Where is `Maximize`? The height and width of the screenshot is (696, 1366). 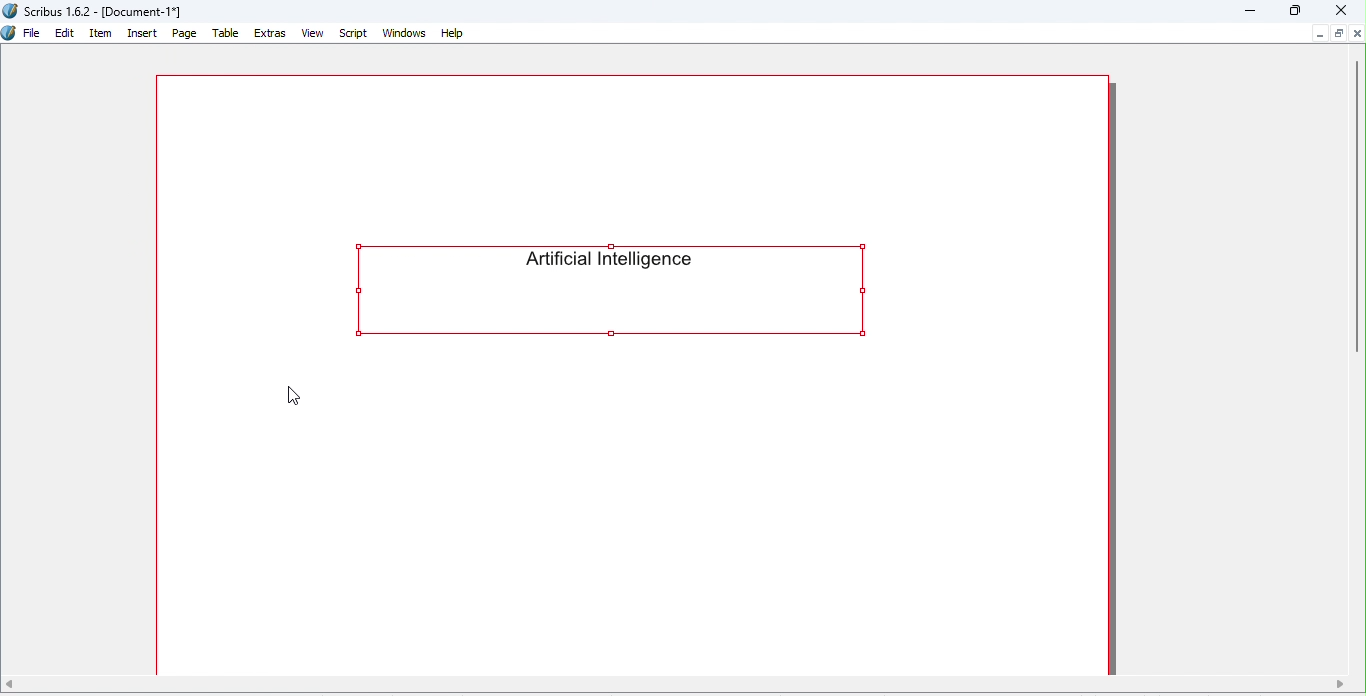
Maximize is located at coordinates (1297, 11).